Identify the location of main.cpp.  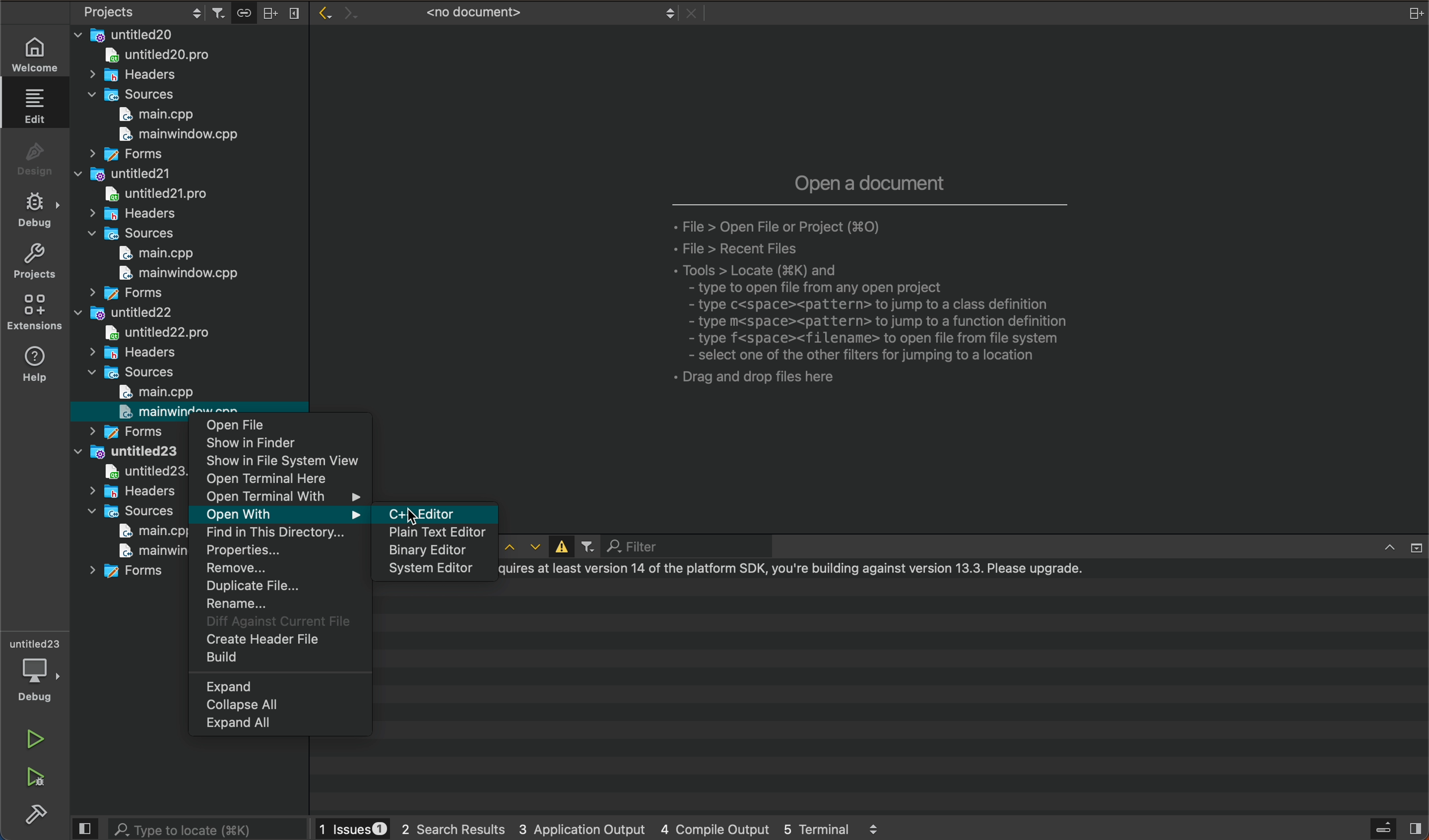
(160, 114).